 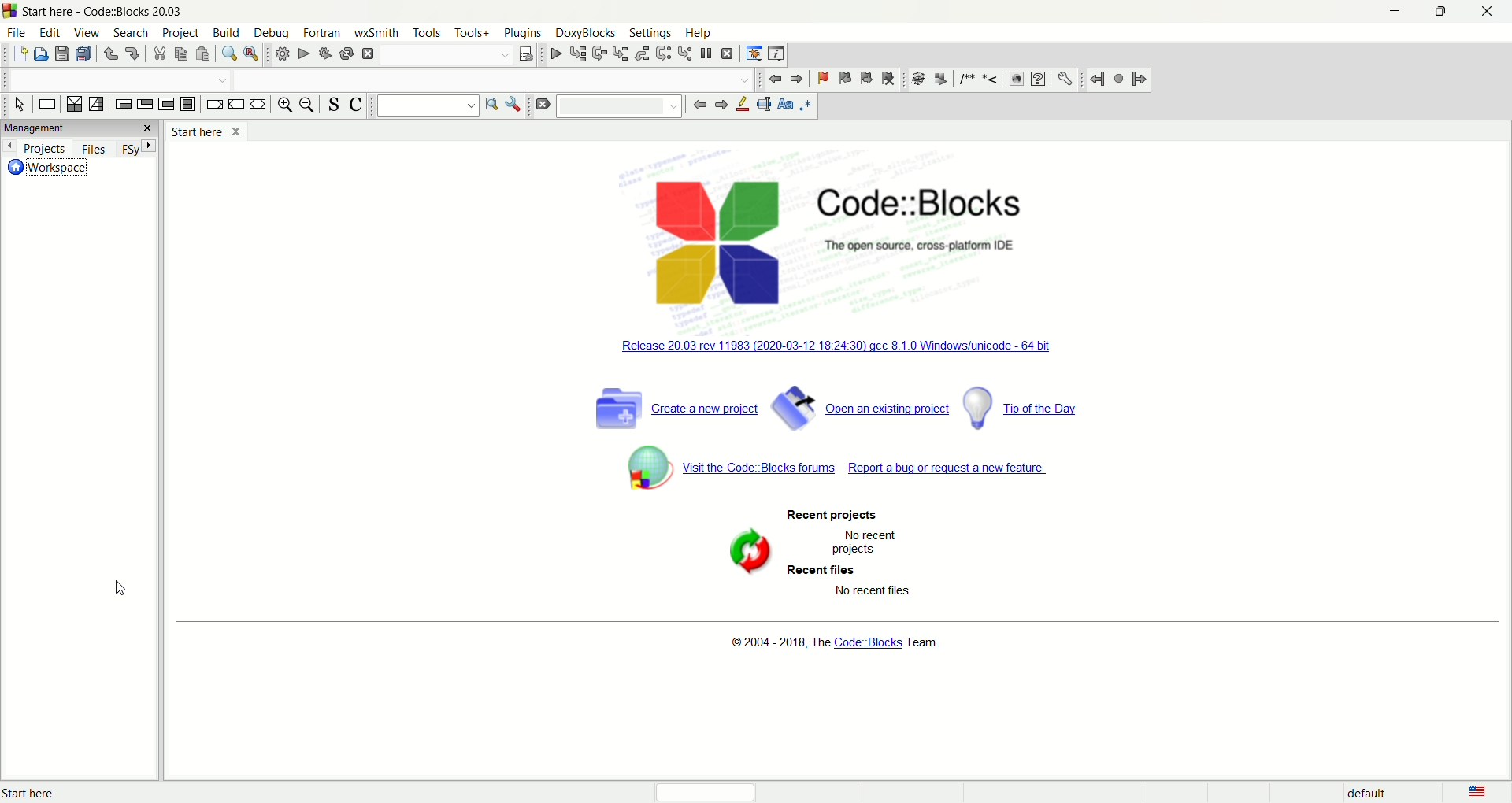 What do you see at coordinates (773, 79) in the screenshot?
I see `jump bacj` at bounding box center [773, 79].